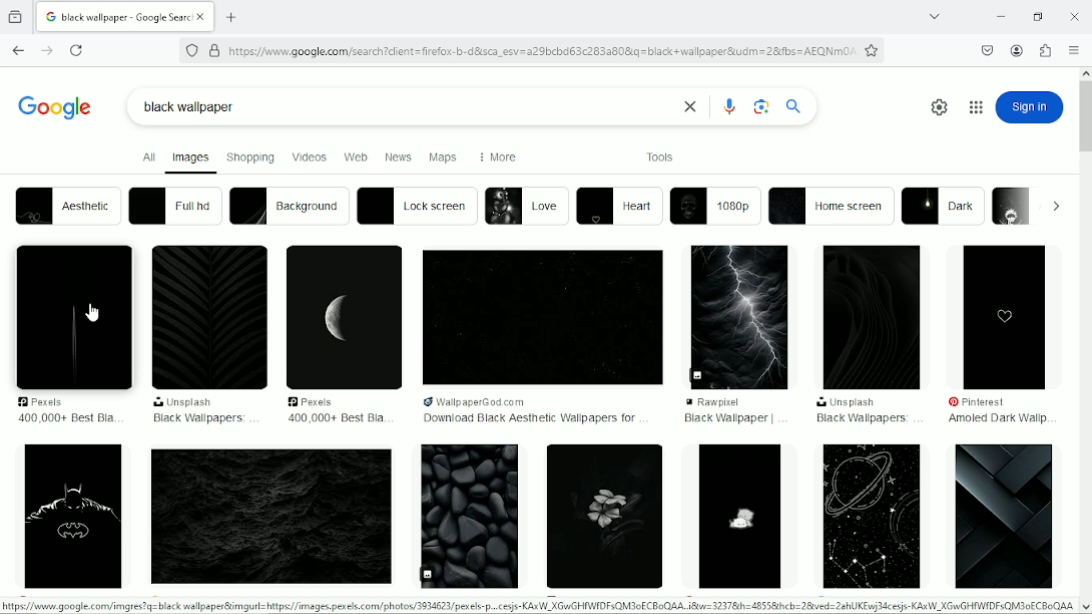  I want to click on 1080p, so click(715, 206).